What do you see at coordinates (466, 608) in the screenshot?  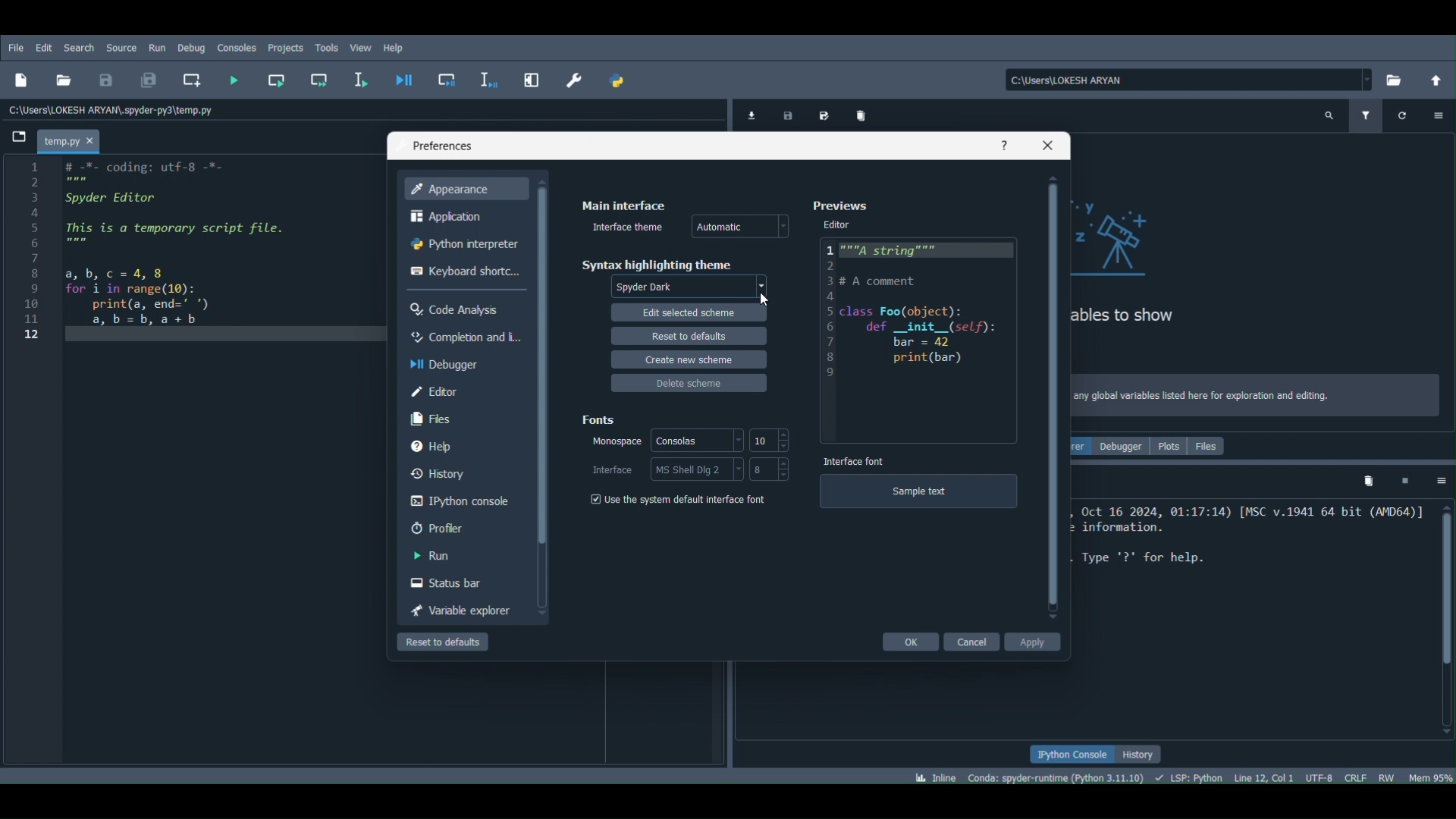 I see `Variable explorer` at bounding box center [466, 608].